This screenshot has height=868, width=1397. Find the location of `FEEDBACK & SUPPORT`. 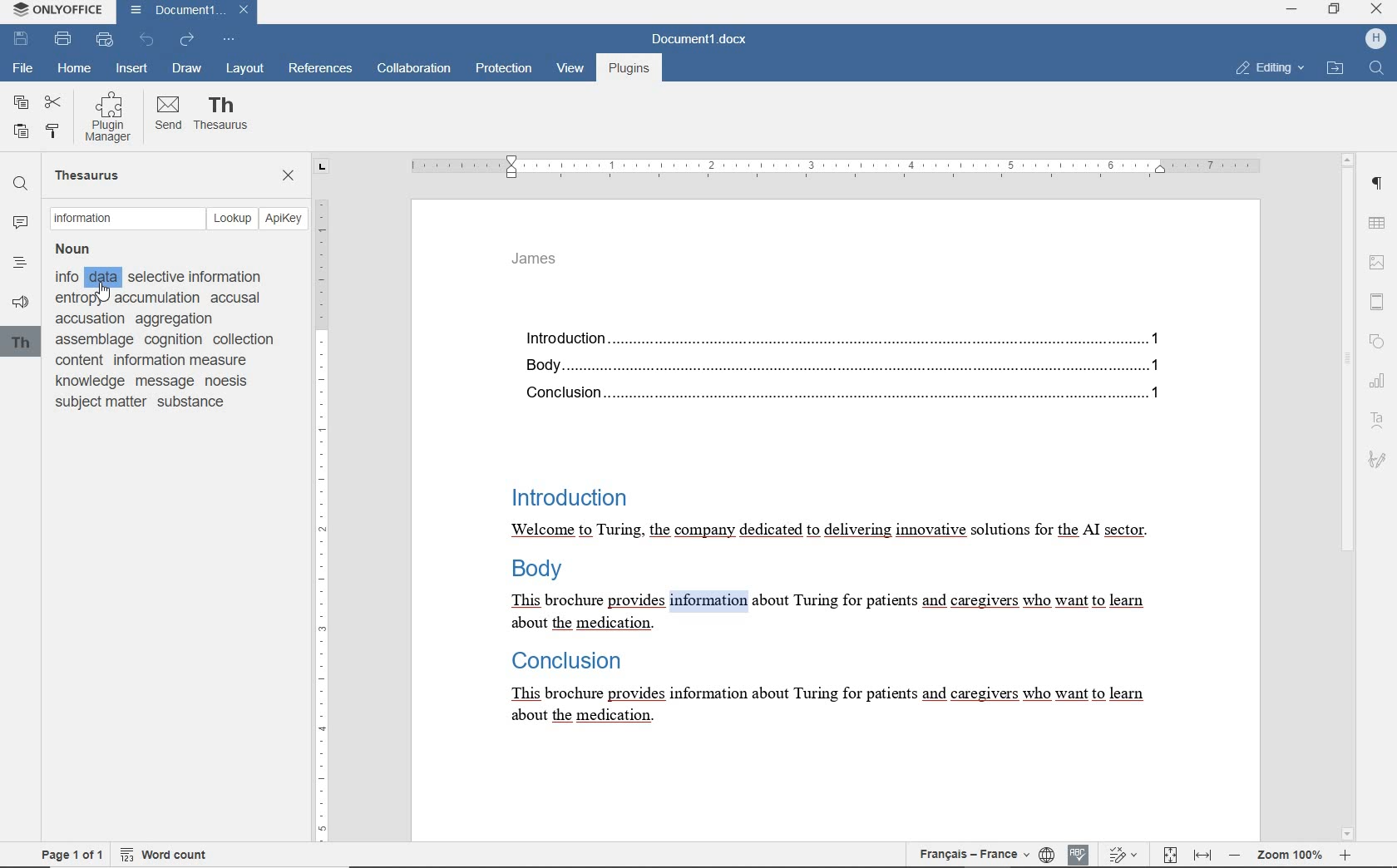

FEEDBACK & SUPPORT is located at coordinates (18, 299).